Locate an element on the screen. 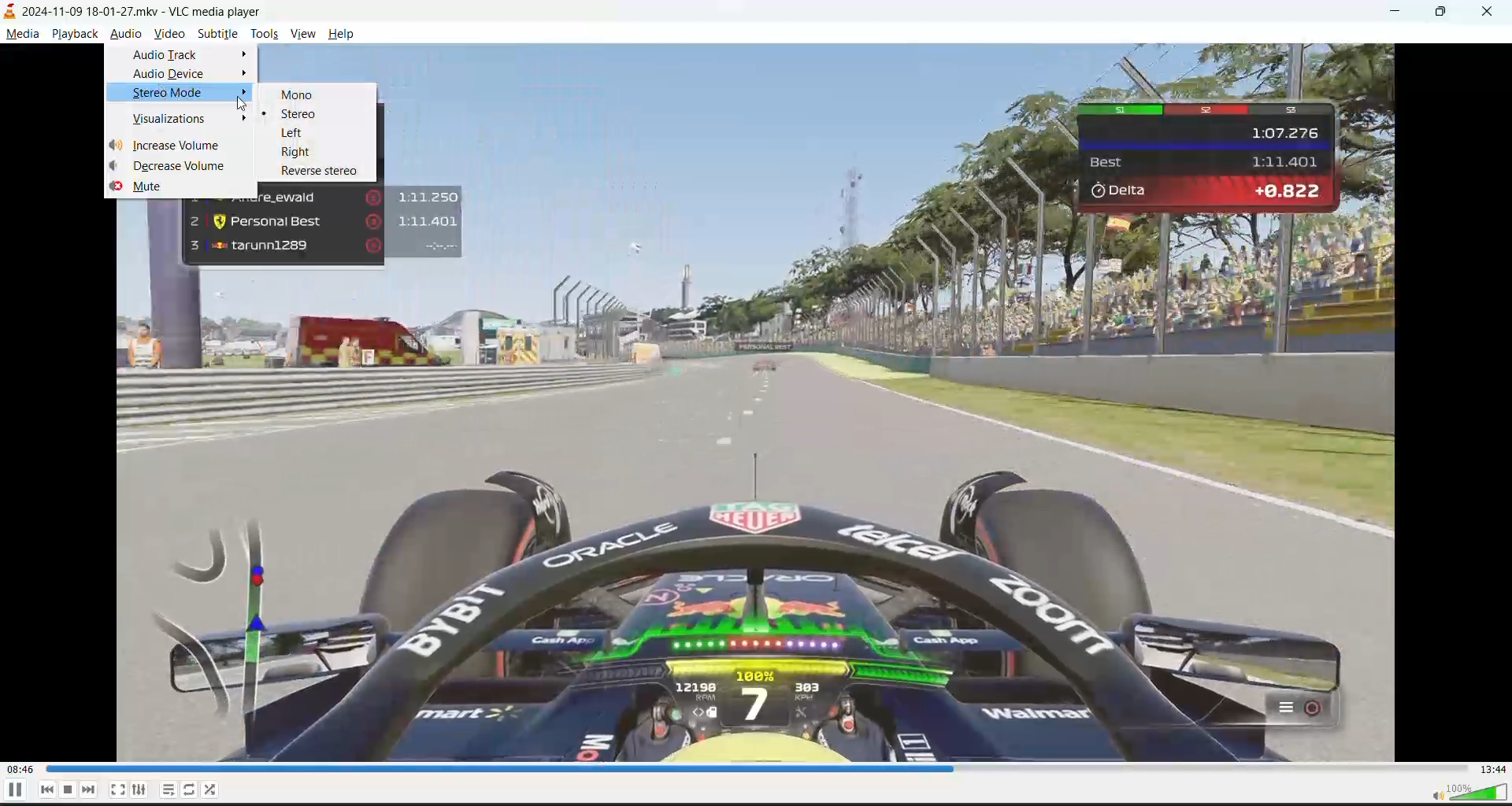 The height and width of the screenshot is (806, 1512). playlists is located at coordinates (170, 790).